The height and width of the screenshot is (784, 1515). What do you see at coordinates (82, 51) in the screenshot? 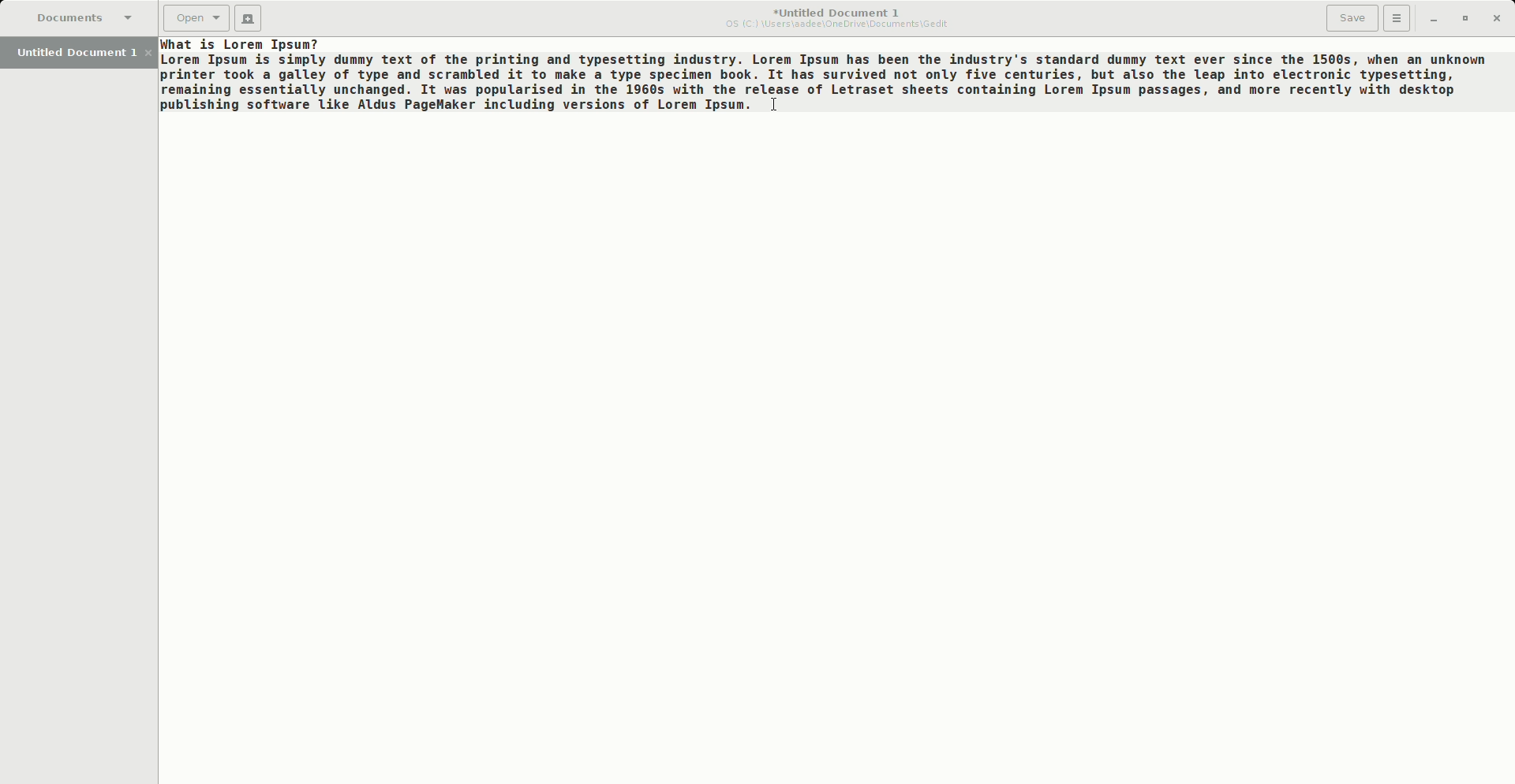
I see `Untitled Document` at bounding box center [82, 51].